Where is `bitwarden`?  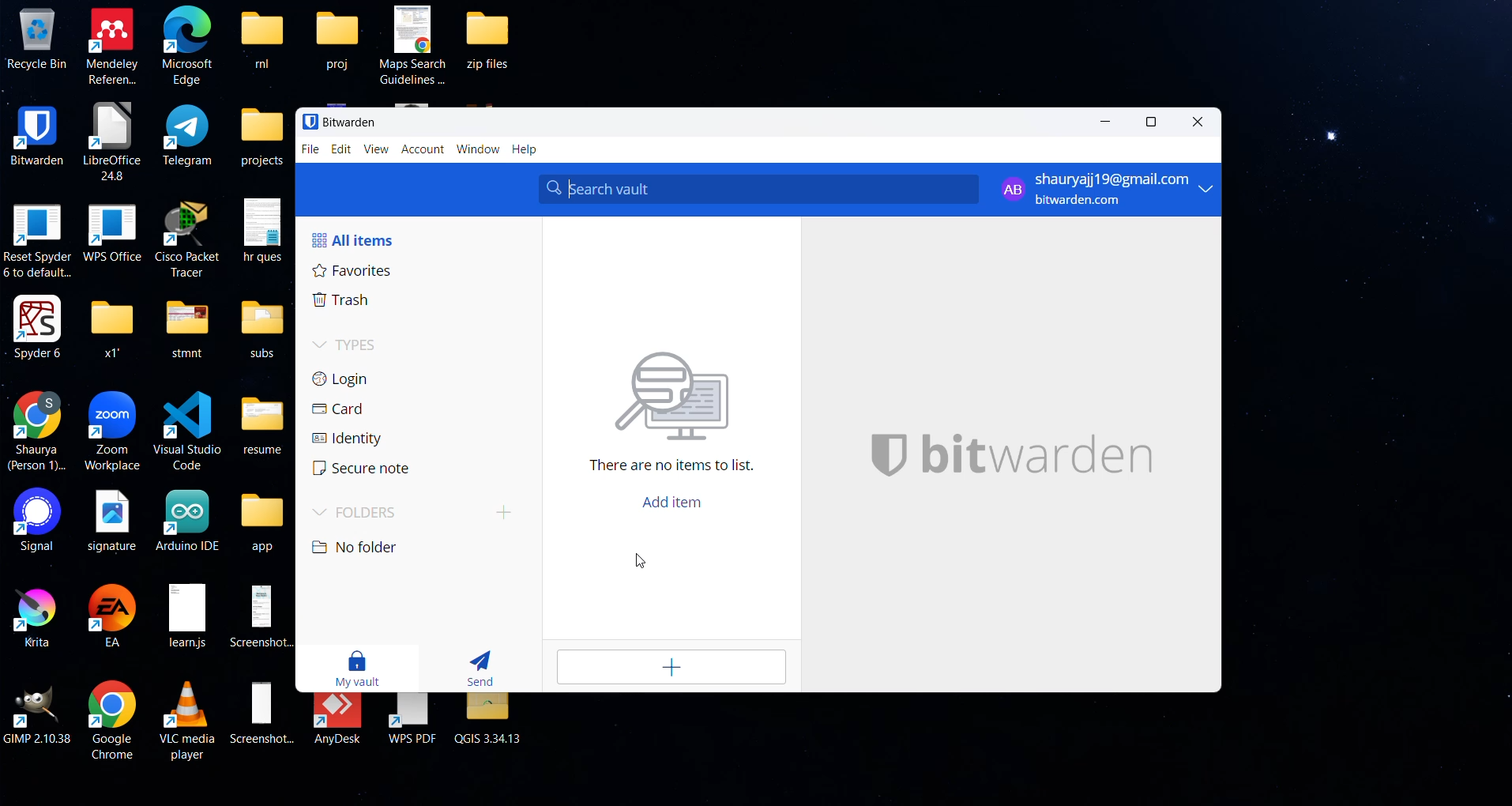
bitwarden is located at coordinates (1015, 455).